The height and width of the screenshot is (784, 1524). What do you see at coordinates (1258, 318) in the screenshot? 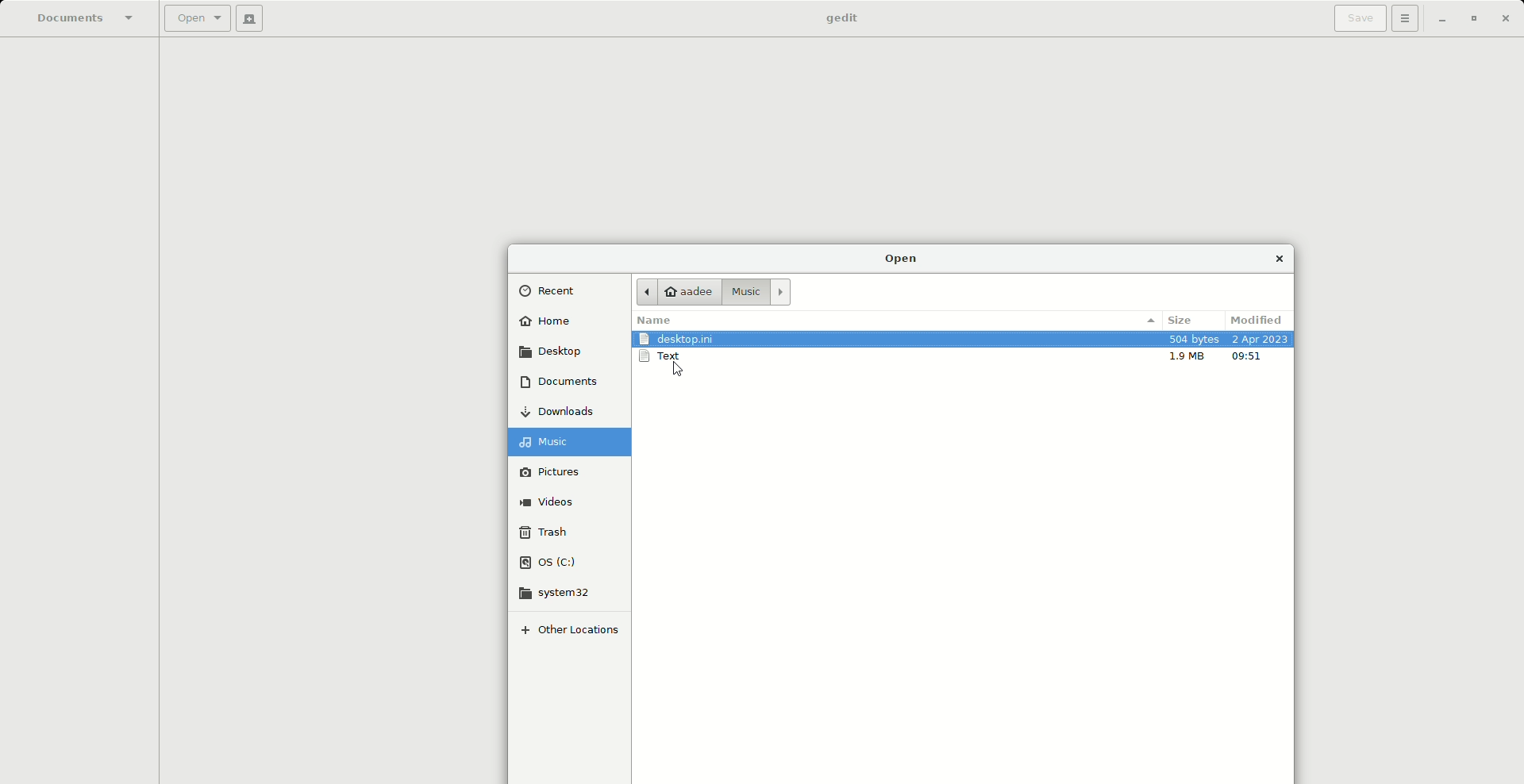
I see `Modified` at bounding box center [1258, 318].